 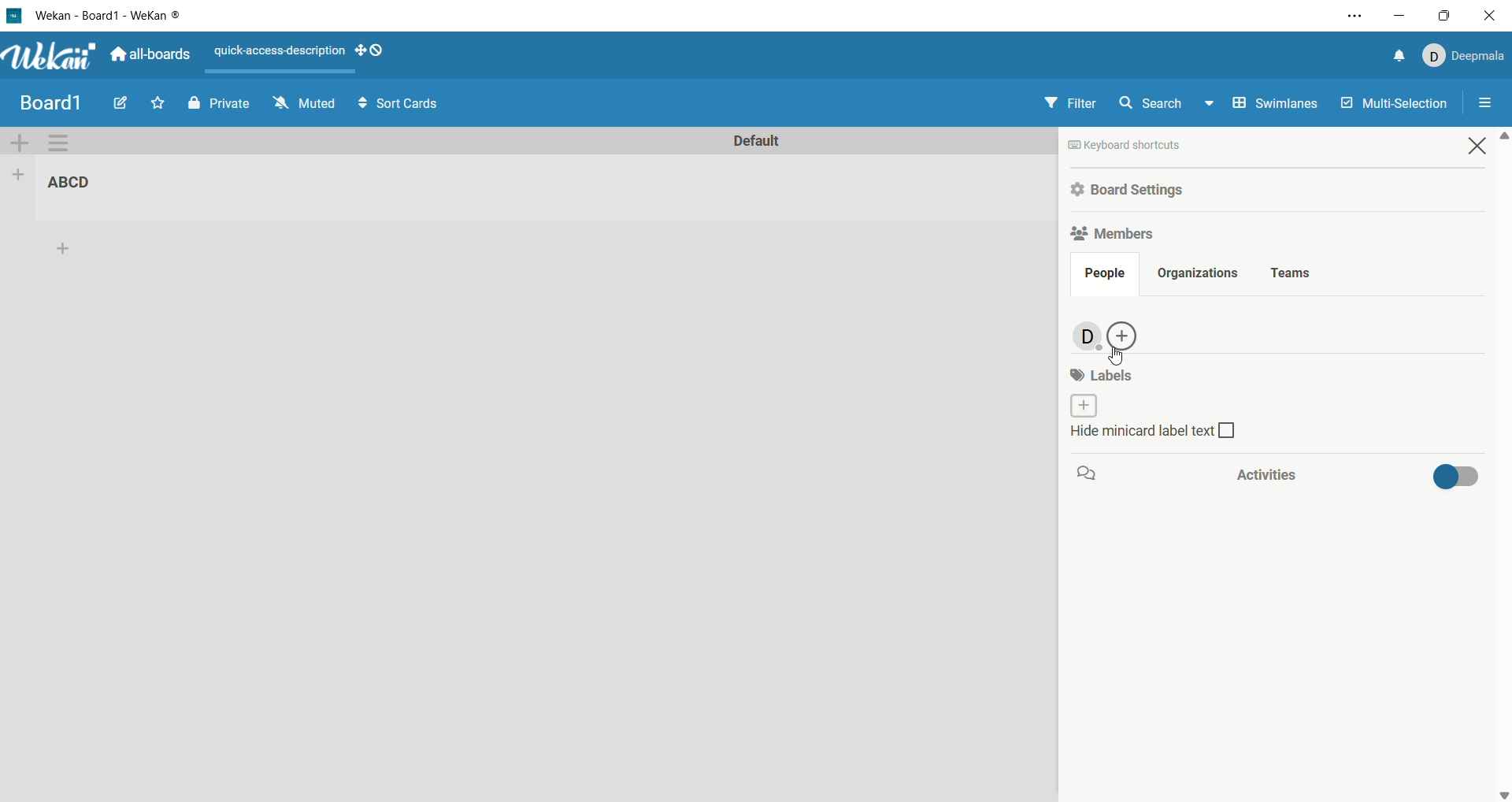 I want to click on filter, so click(x=1069, y=102).